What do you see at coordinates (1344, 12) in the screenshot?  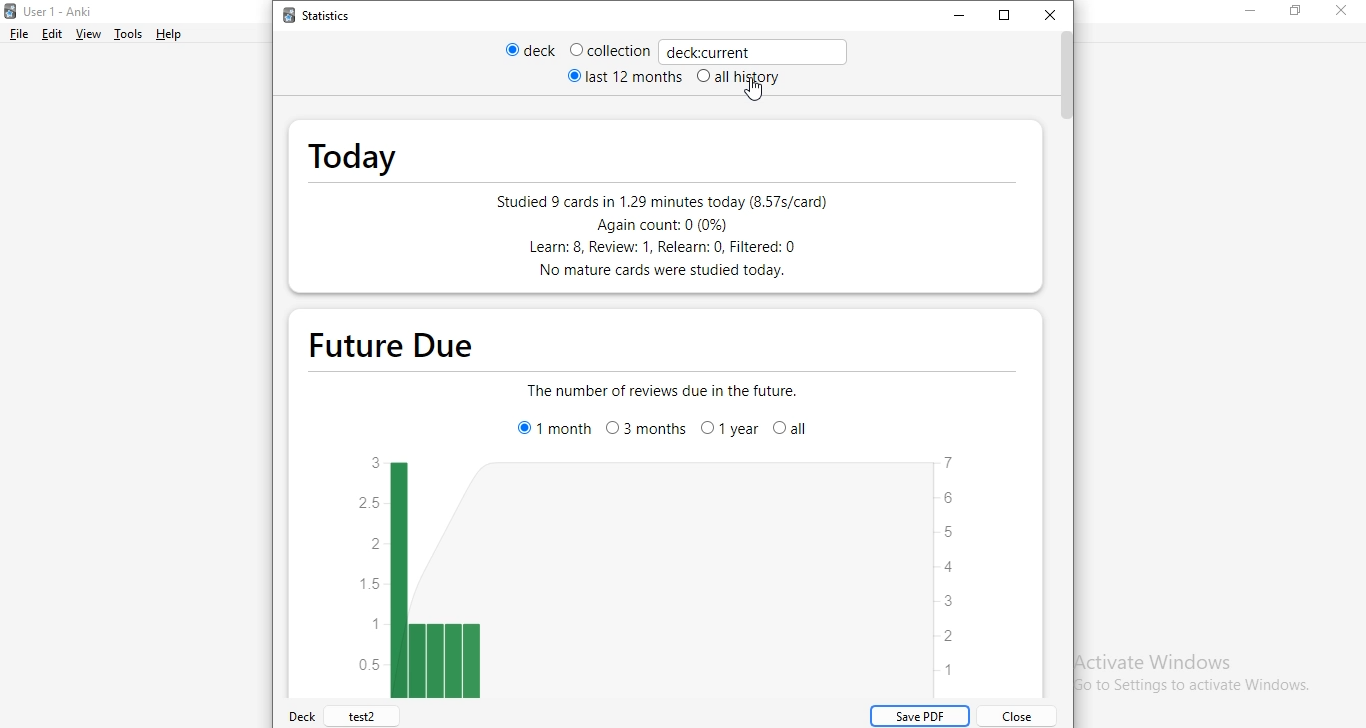 I see `close` at bounding box center [1344, 12].